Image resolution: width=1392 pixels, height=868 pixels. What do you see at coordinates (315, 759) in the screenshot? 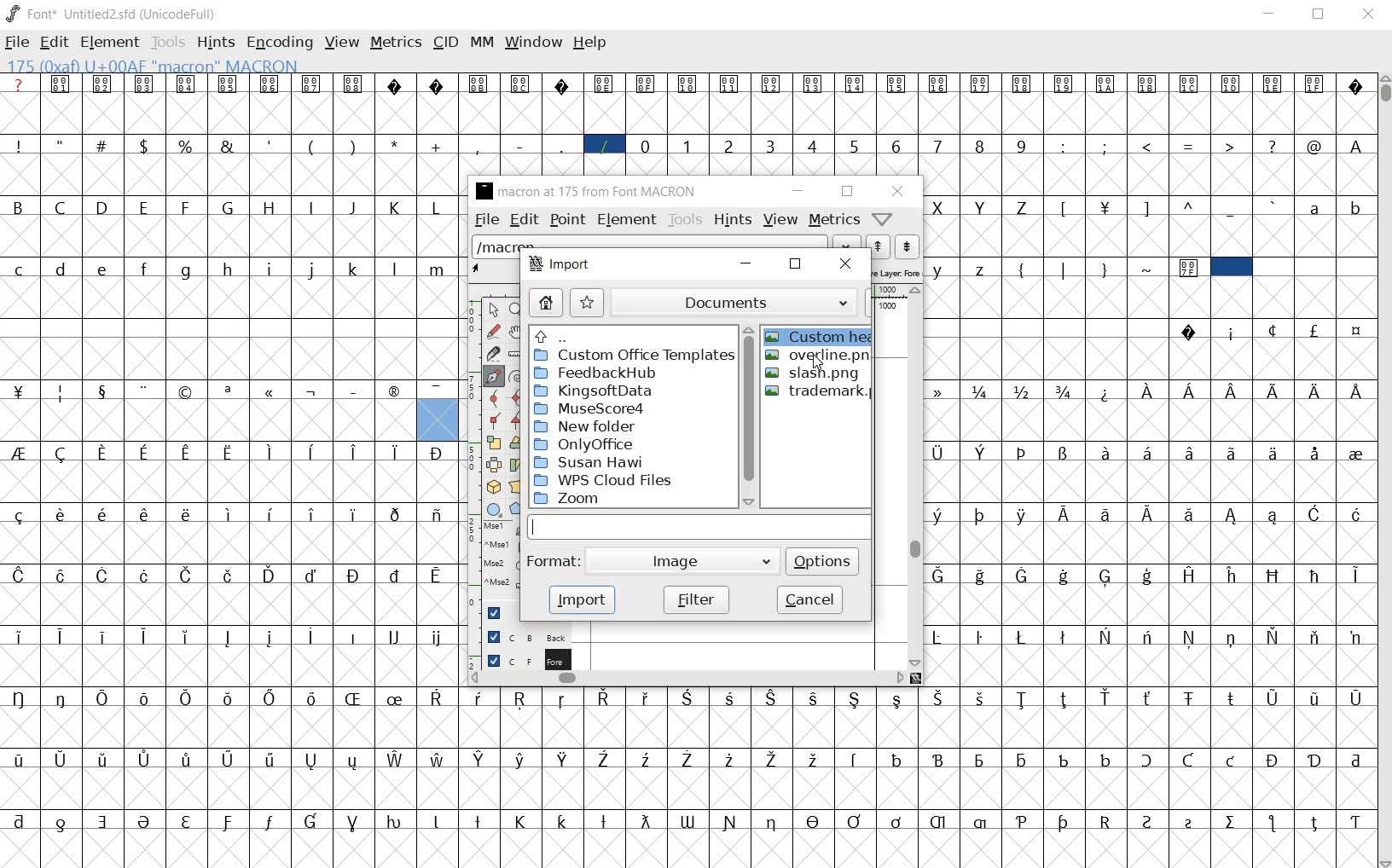
I see `Symbol` at bounding box center [315, 759].